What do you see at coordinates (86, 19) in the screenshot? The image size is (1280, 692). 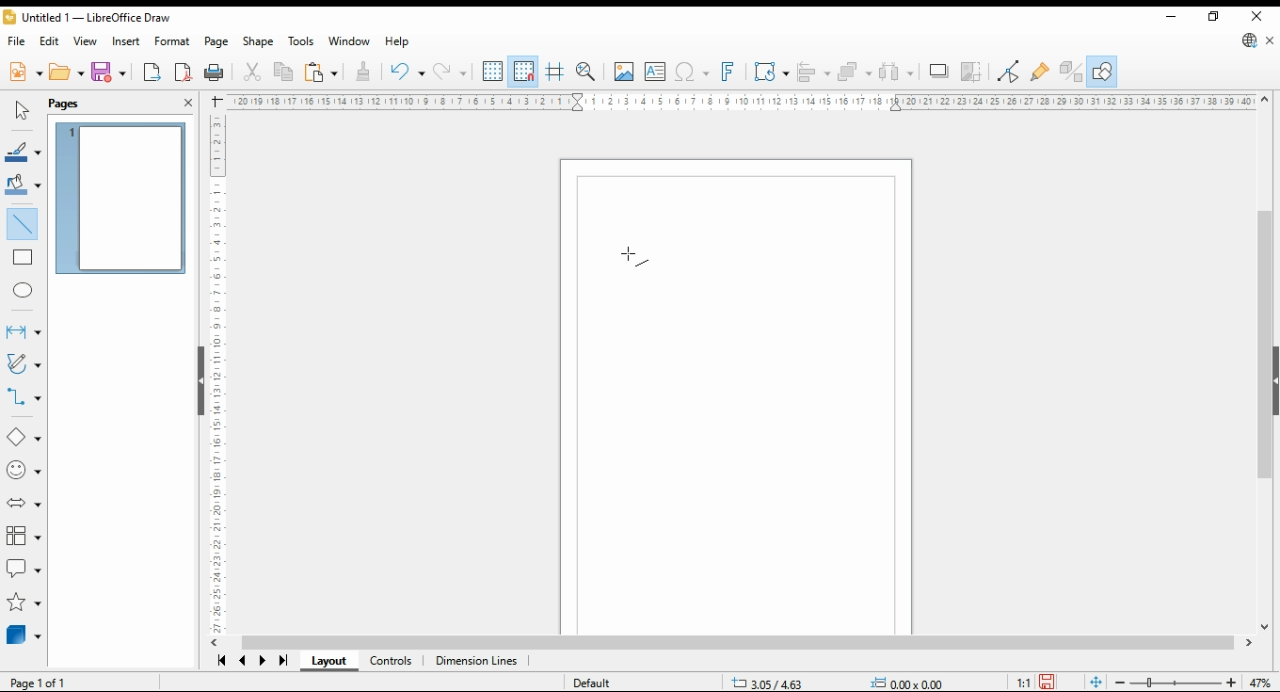 I see `Untitled 1 - LibreOffice Draw` at bounding box center [86, 19].